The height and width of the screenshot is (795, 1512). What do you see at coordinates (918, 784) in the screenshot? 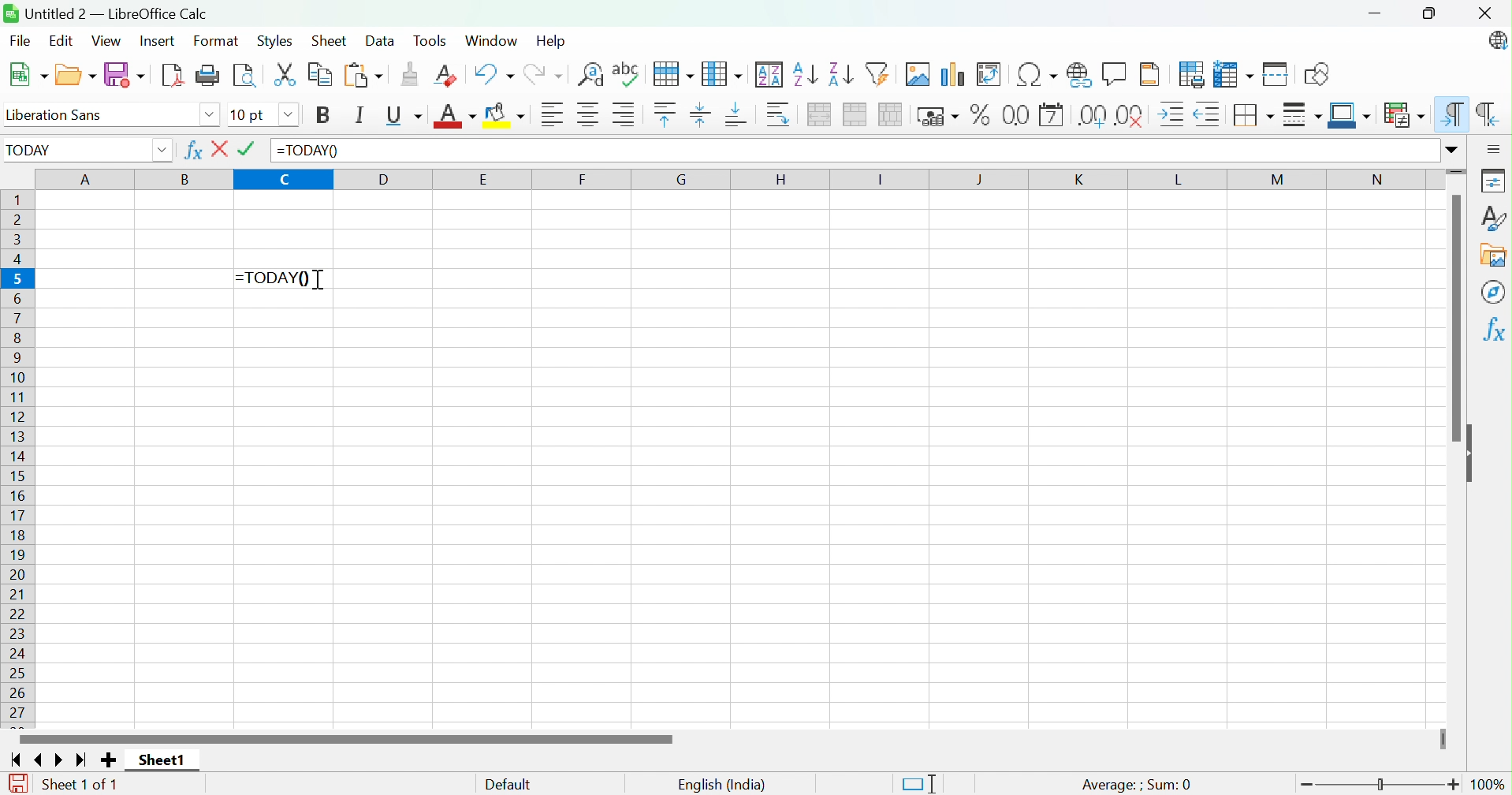
I see `Standard selection. Click to change selection mode.` at bounding box center [918, 784].